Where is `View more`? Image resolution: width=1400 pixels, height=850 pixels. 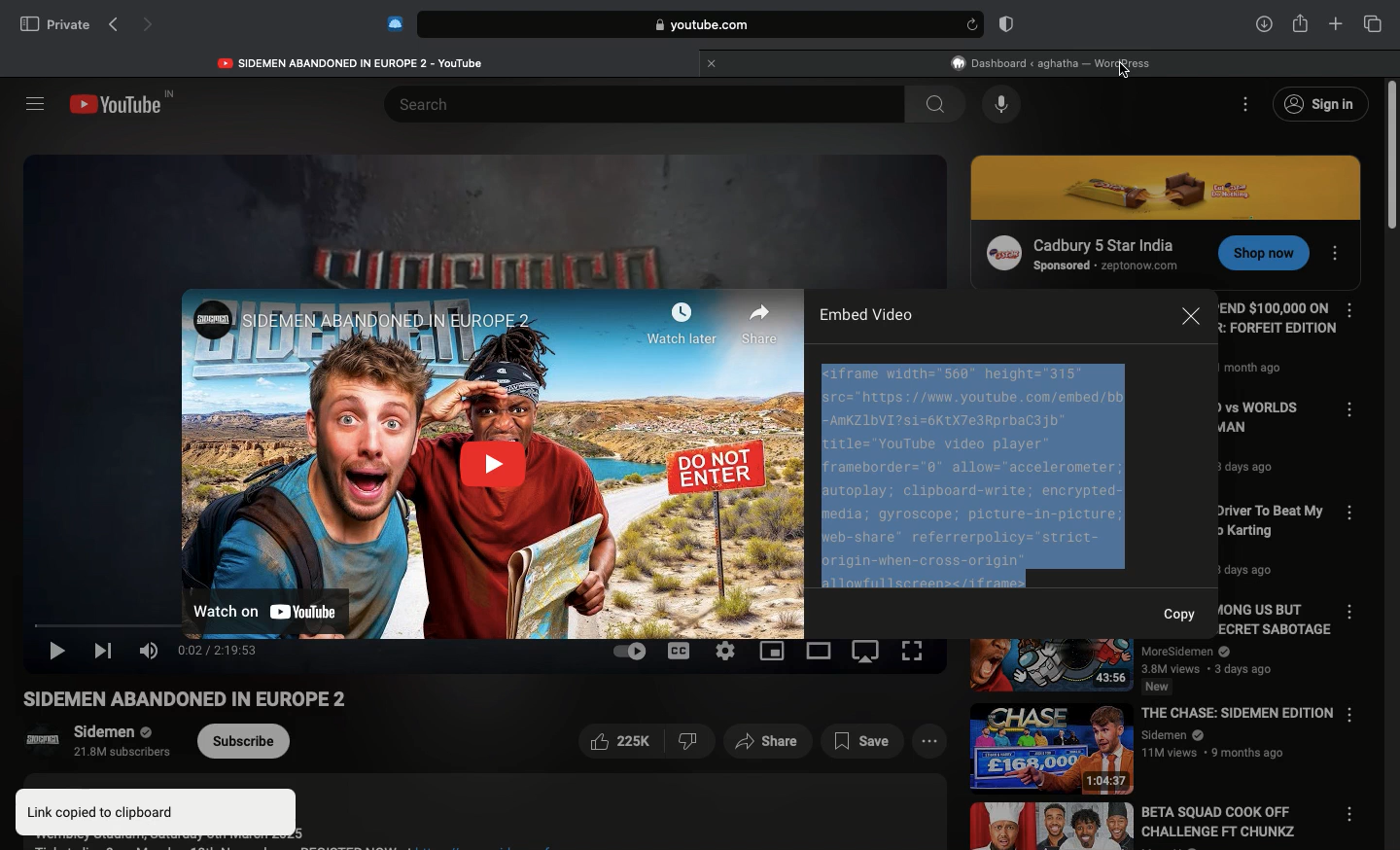
View more is located at coordinates (927, 742).